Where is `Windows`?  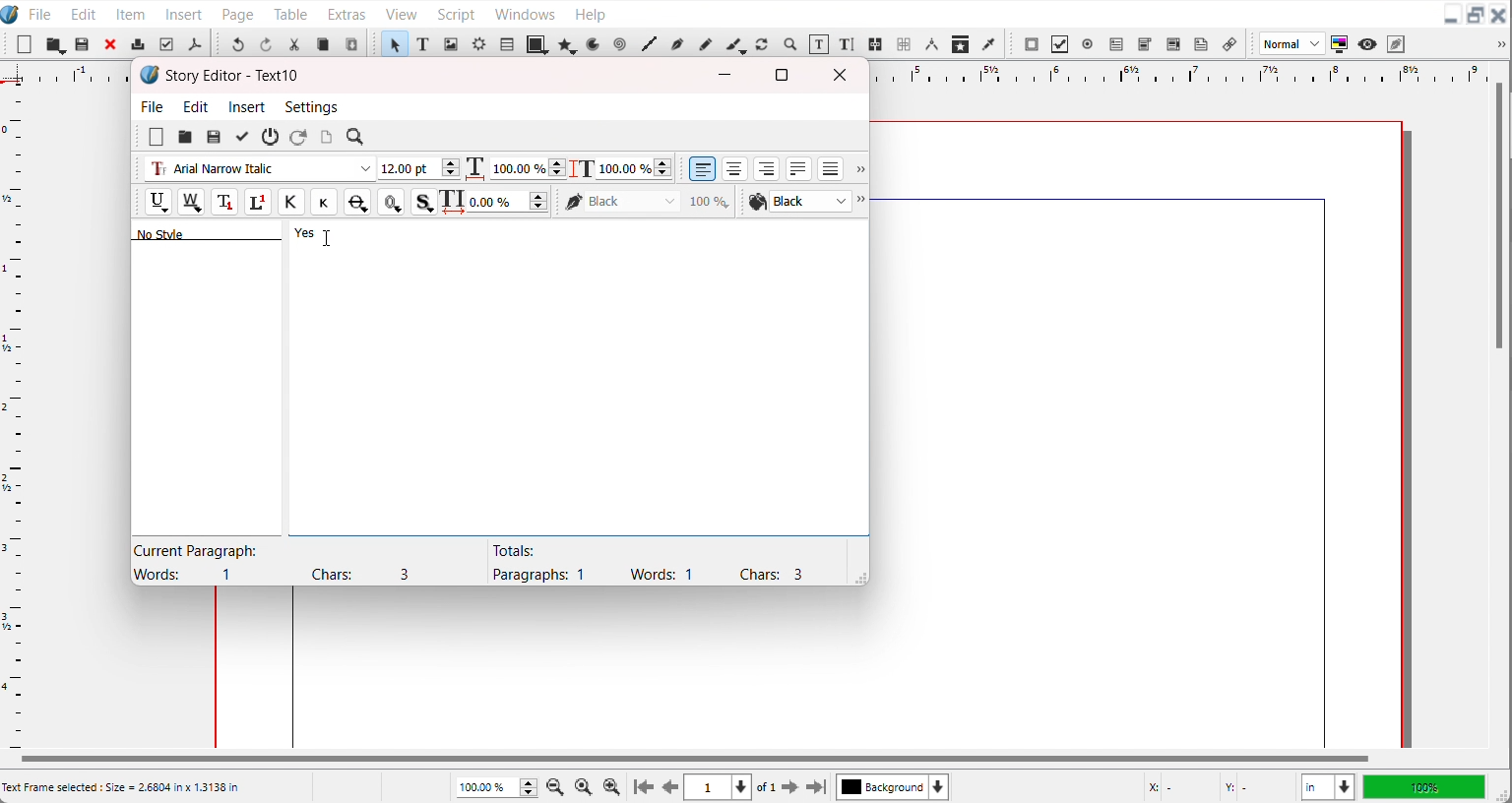 Windows is located at coordinates (525, 12).